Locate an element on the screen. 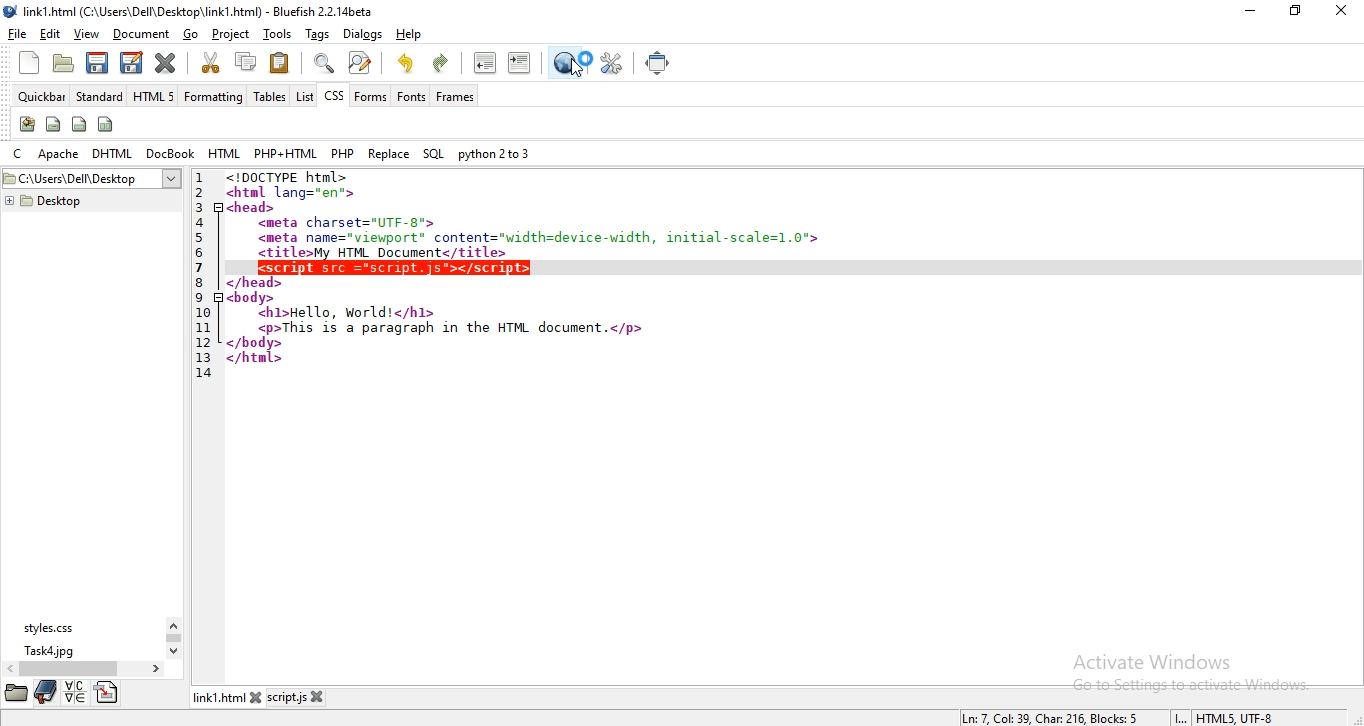 The height and width of the screenshot is (726, 1364). help is located at coordinates (414, 37).